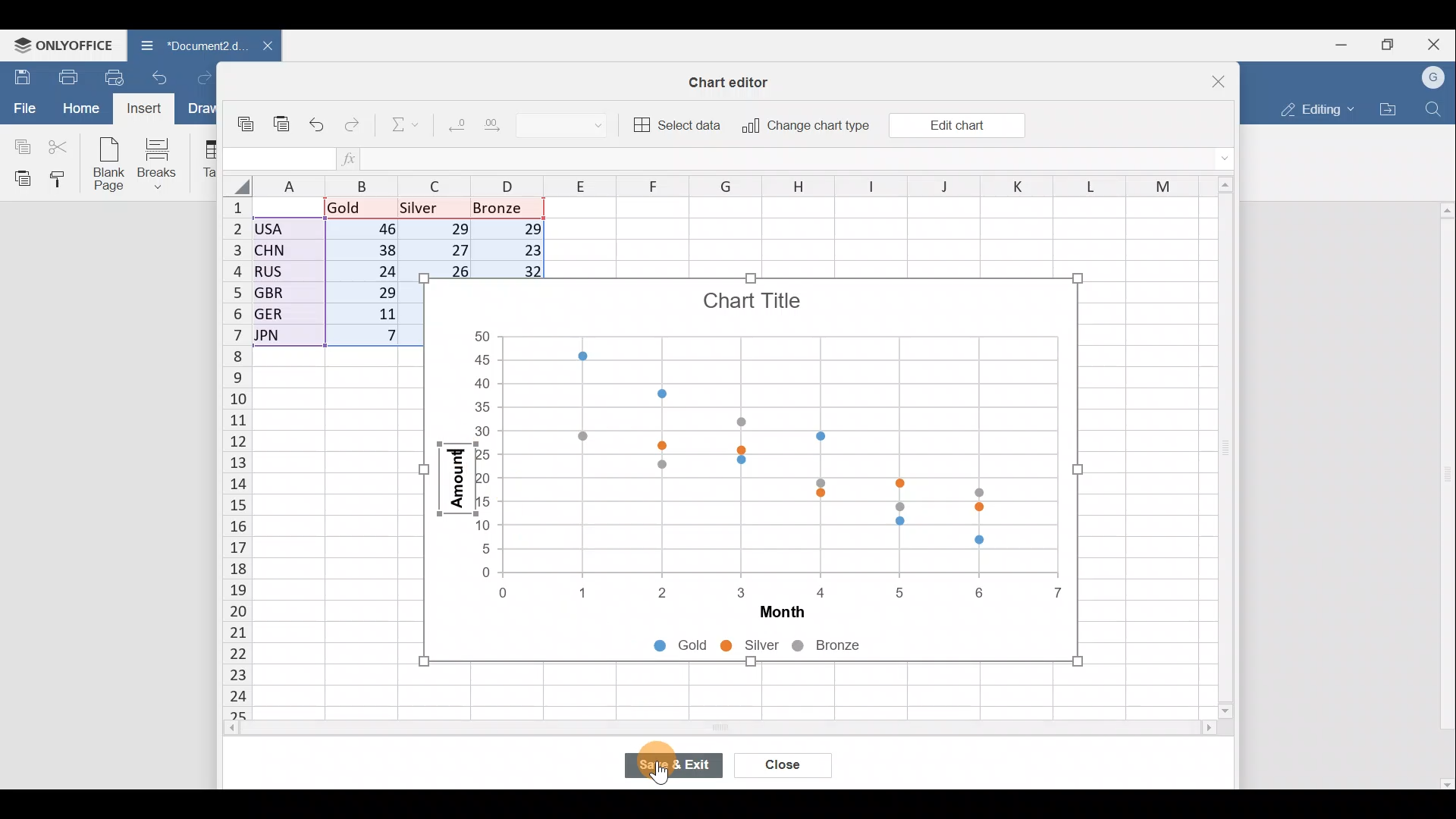 The image size is (1456, 819). What do you see at coordinates (208, 160) in the screenshot?
I see `Table` at bounding box center [208, 160].